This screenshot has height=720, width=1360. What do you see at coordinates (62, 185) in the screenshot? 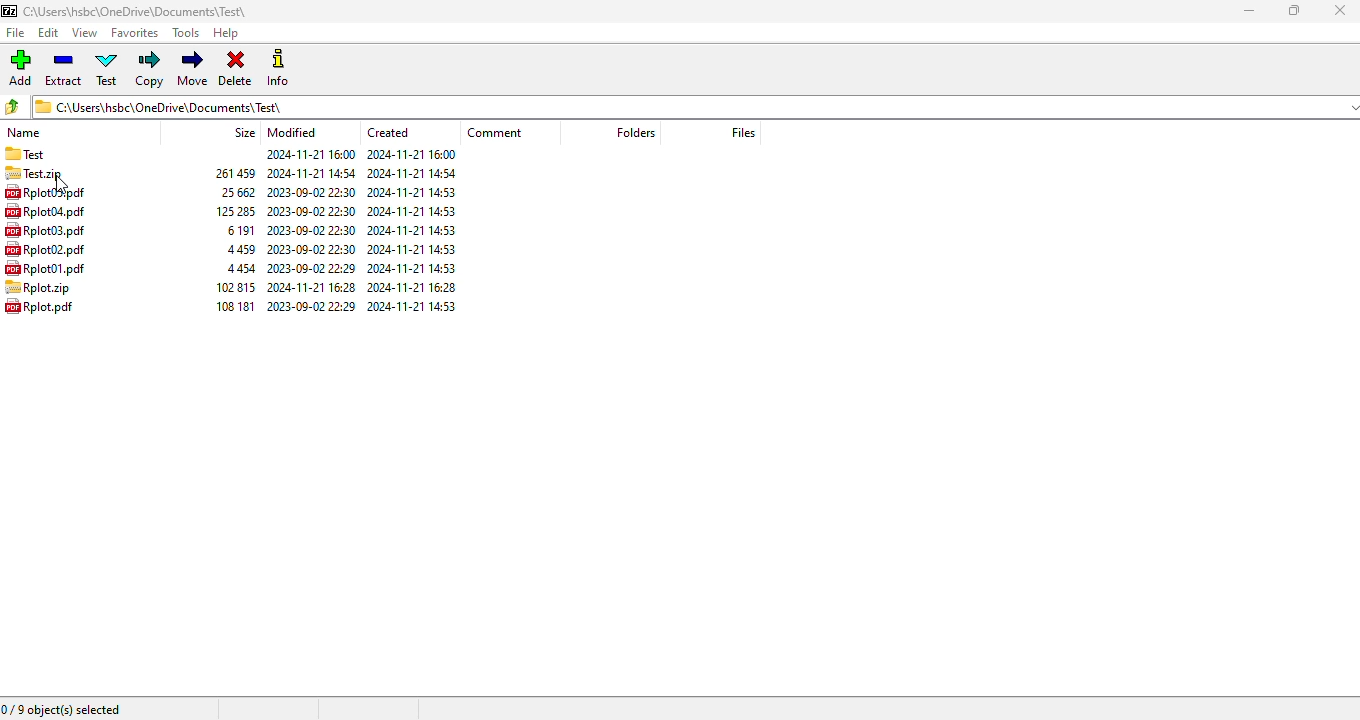
I see `cursor` at bounding box center [62, 185].